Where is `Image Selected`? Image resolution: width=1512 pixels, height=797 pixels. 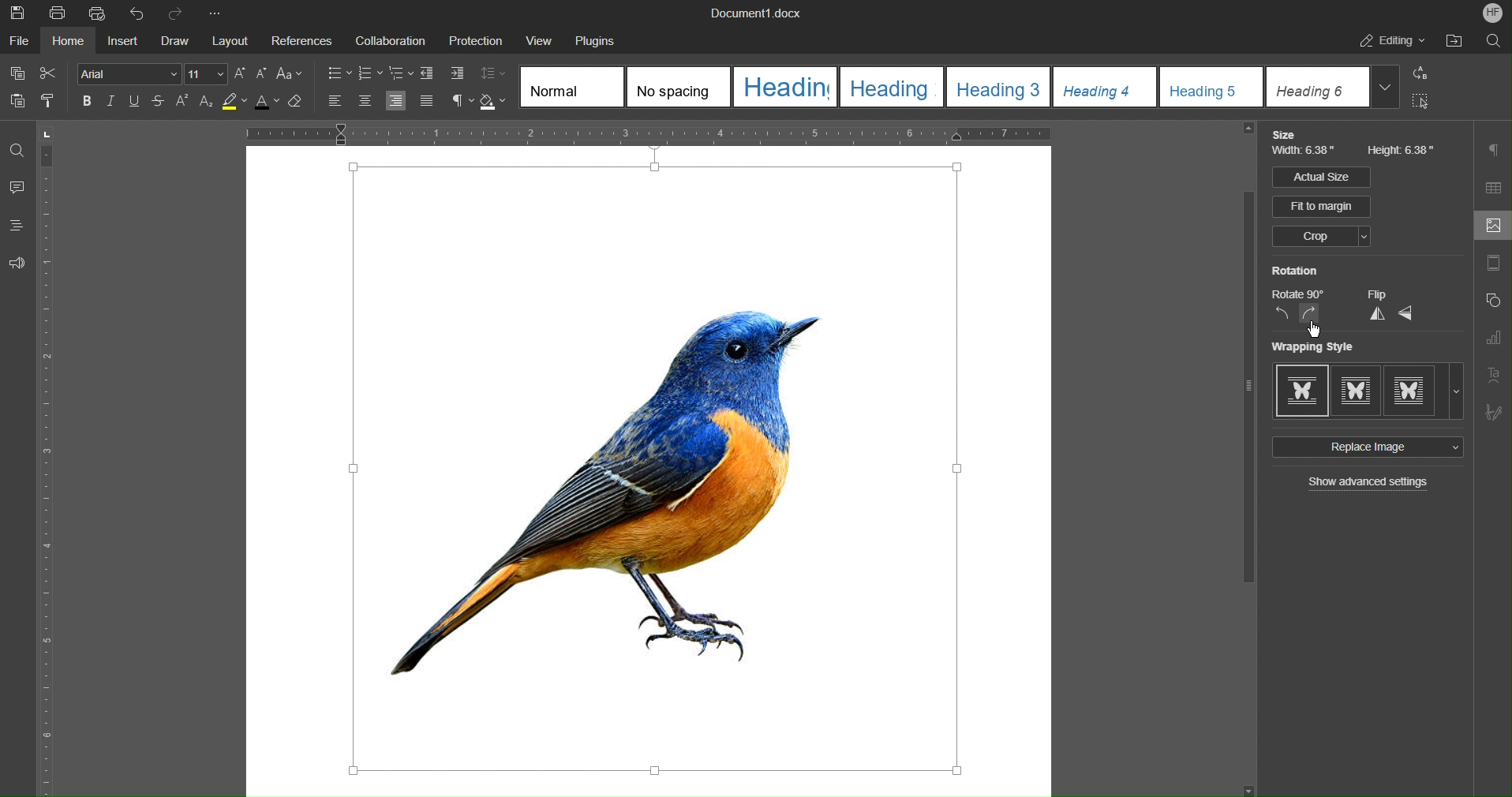 Image Selected is located at coordinates (652, 472).